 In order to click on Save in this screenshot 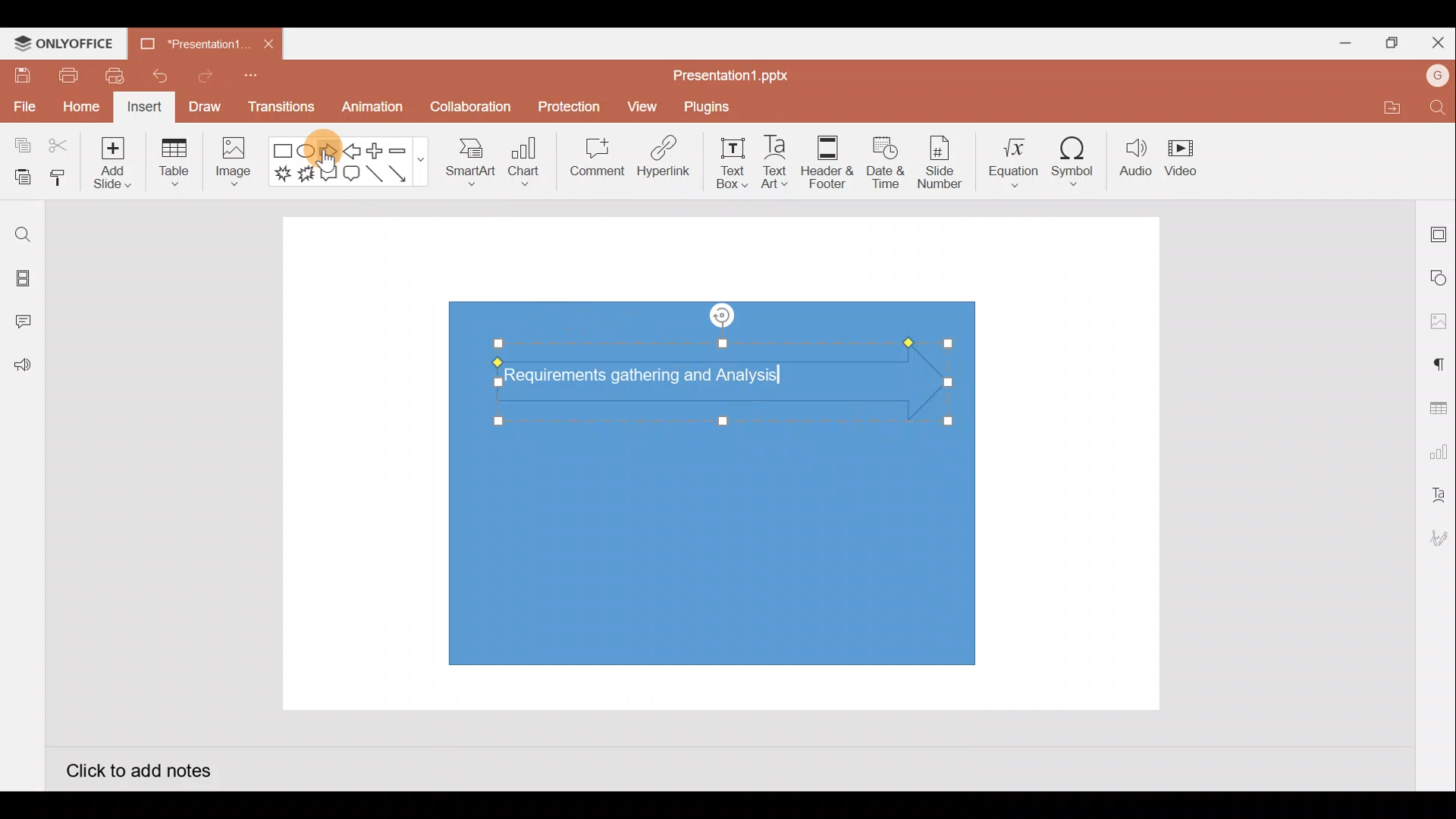, I will do `click(20, 74)`.